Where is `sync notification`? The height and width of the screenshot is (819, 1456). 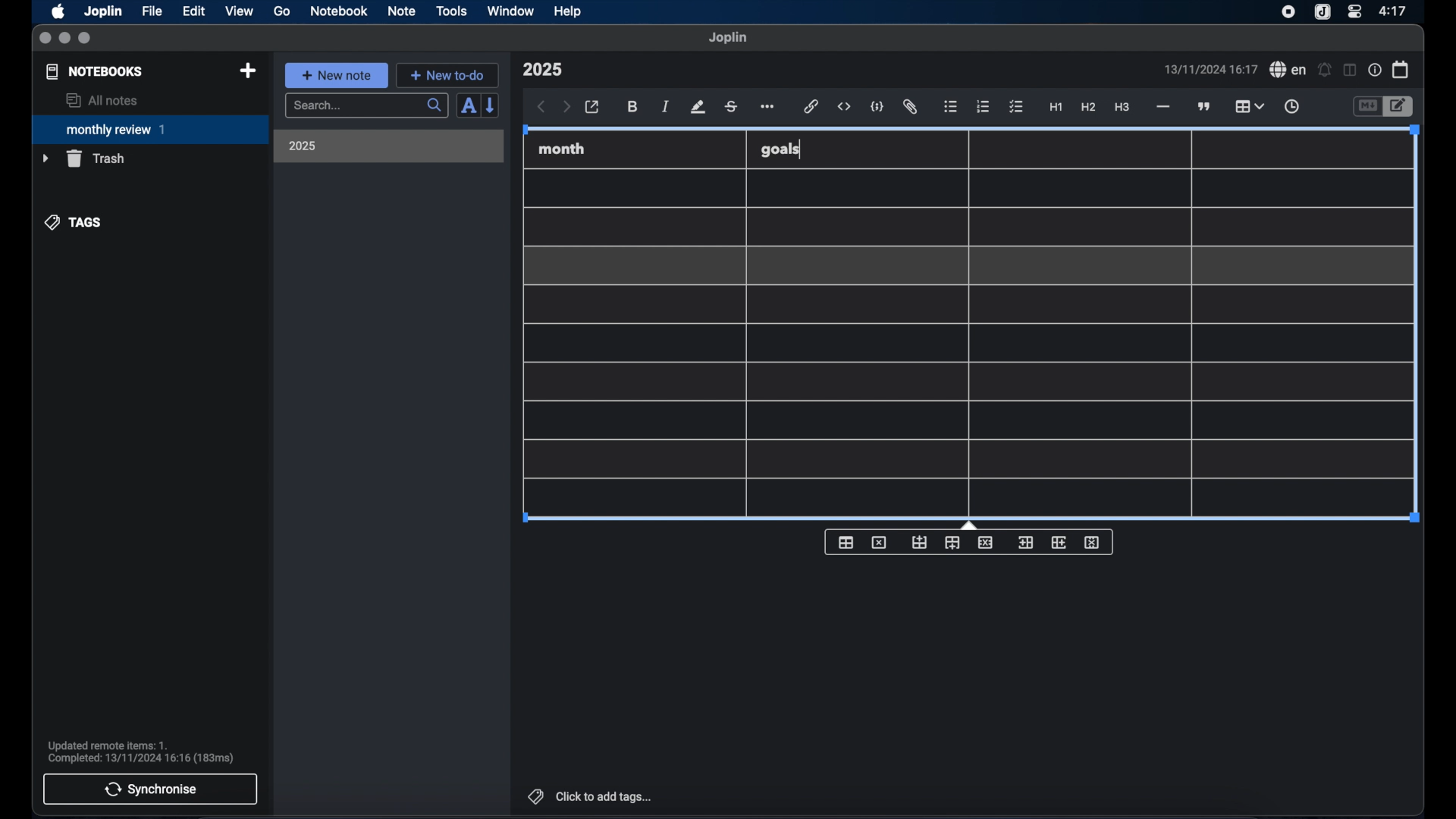
sync notification is located at coordinates (141, 752).